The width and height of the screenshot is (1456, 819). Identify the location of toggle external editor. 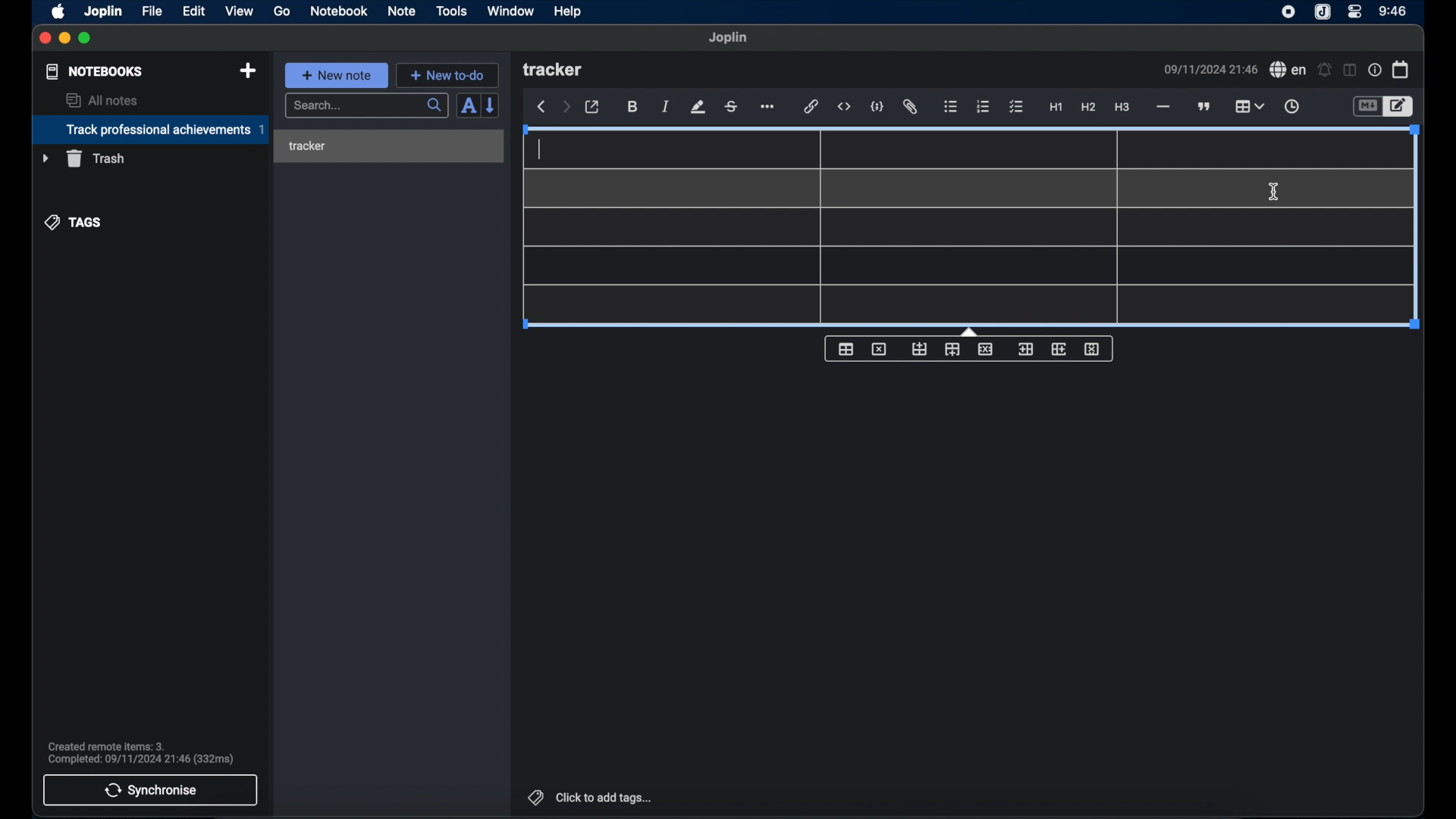
(592, 107).